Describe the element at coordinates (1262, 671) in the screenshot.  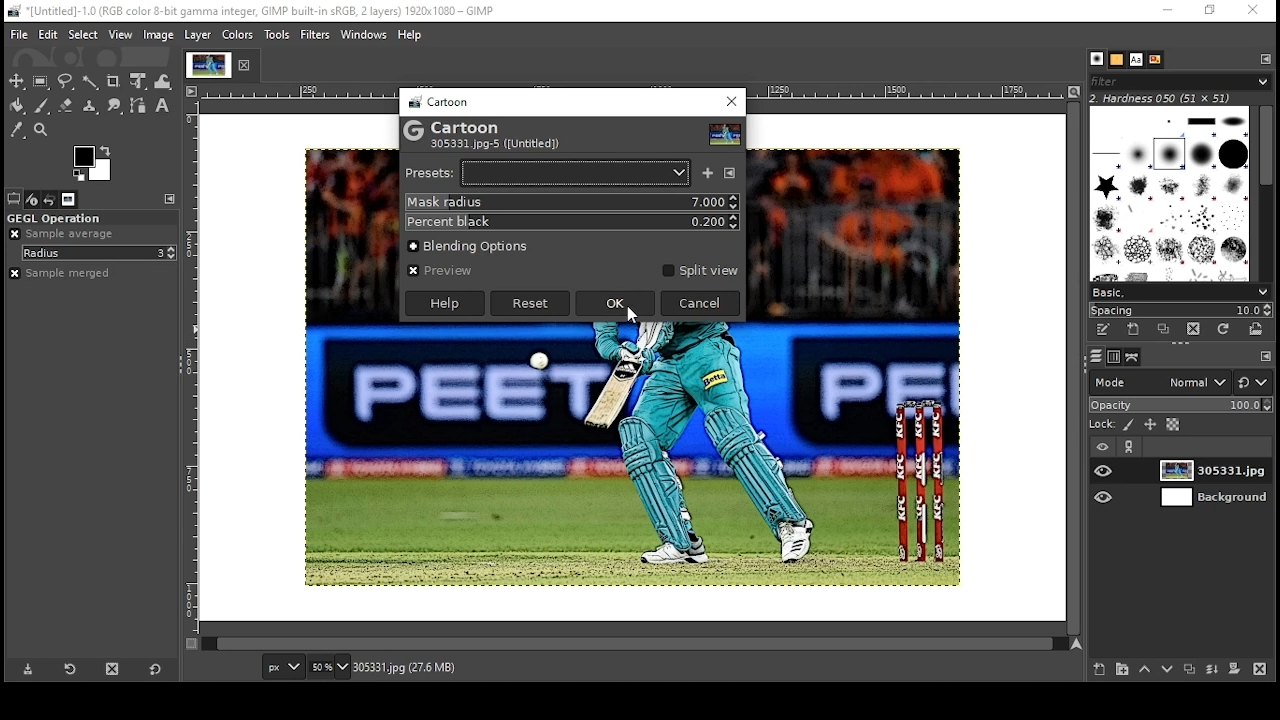
I see `delete layer` at that location.